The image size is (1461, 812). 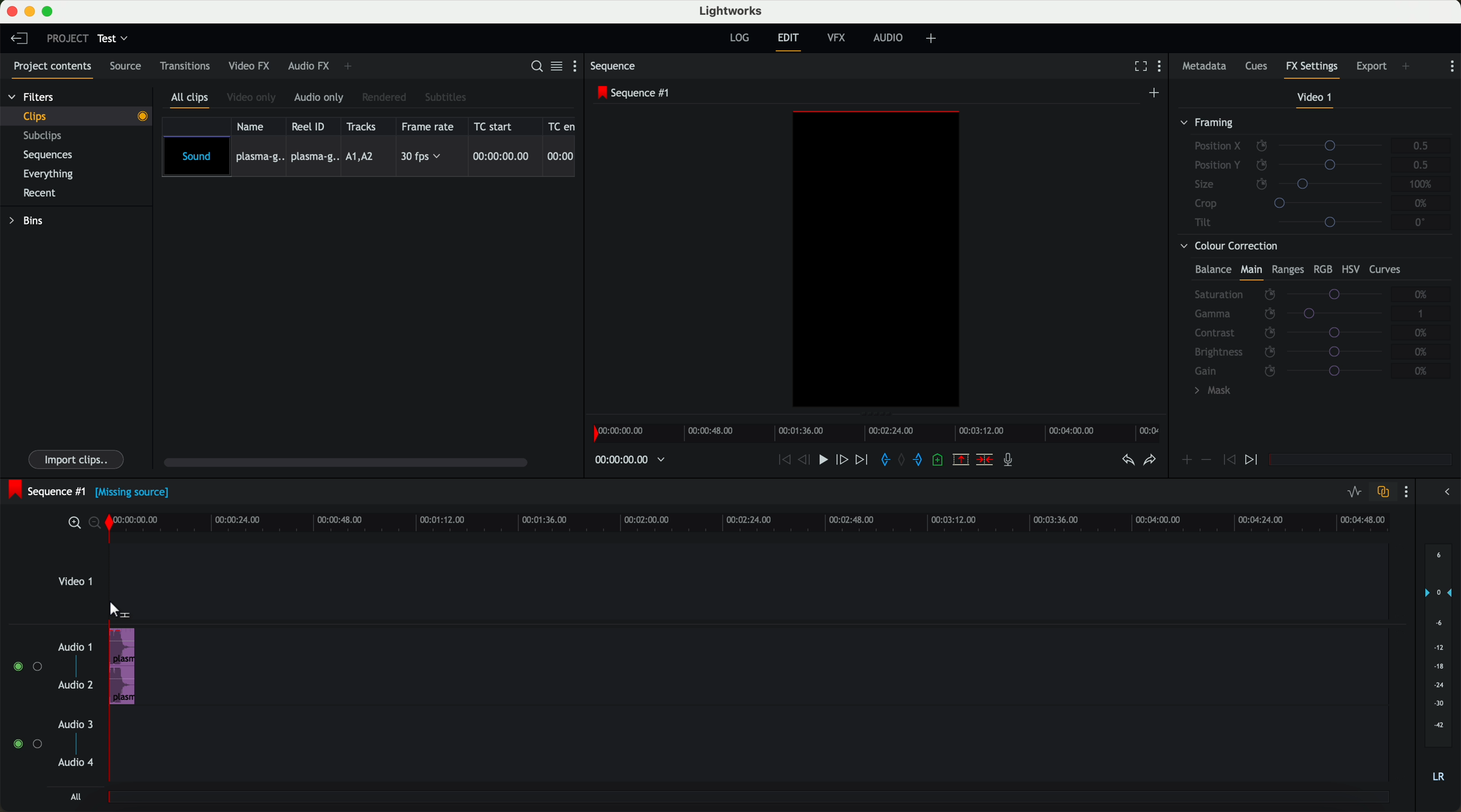 What do you see at coordinates (22, 41) in the screenshot?
I see `leave` at bounding box center [22, 41].